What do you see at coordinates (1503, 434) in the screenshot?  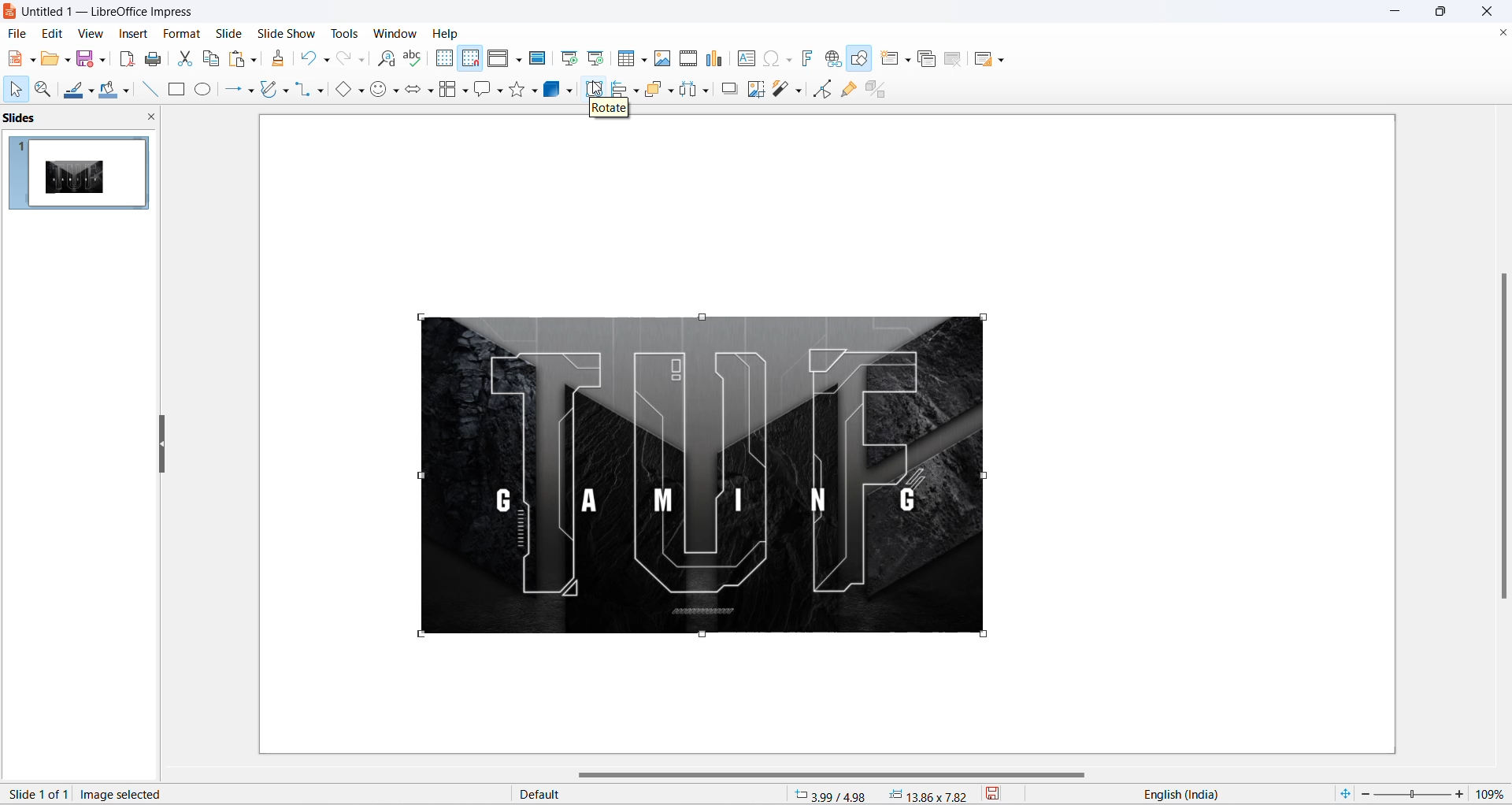 I see `vertical scroll bar` at bounding box center [1503, 434].